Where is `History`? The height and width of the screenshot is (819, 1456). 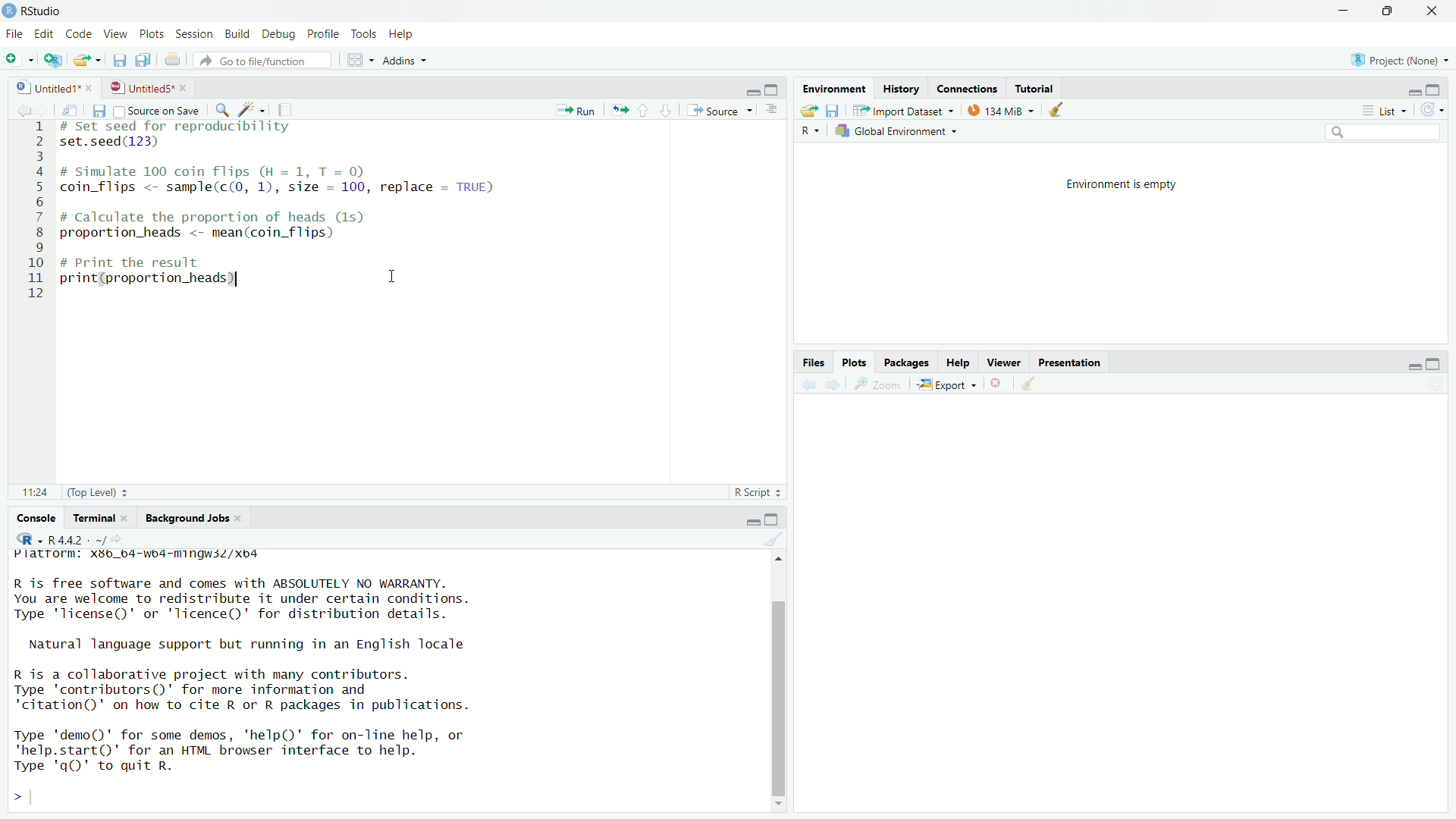 History is located at coordinates (901, 88).